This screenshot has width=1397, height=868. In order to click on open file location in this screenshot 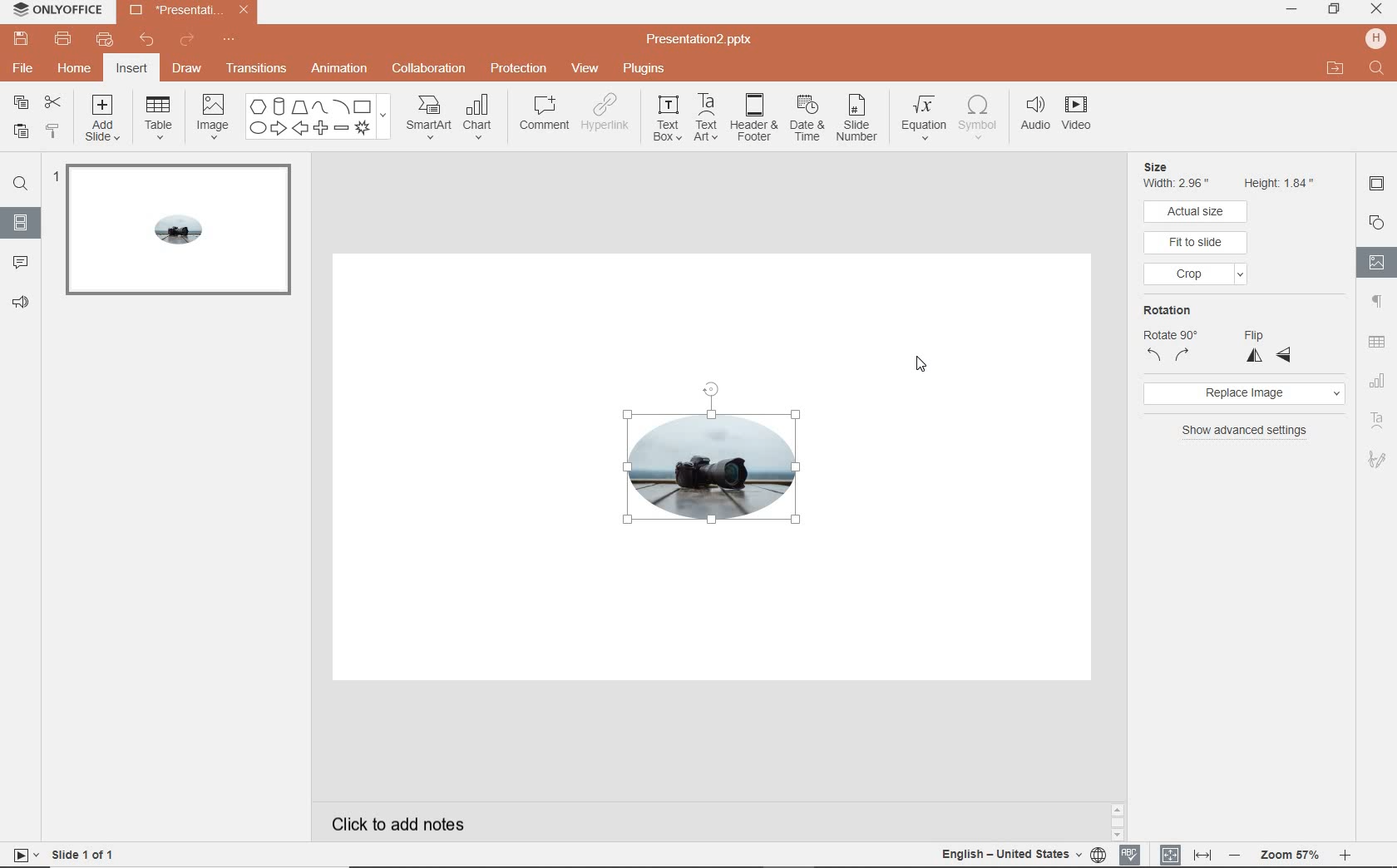, I will do `click(1335, 69)`.